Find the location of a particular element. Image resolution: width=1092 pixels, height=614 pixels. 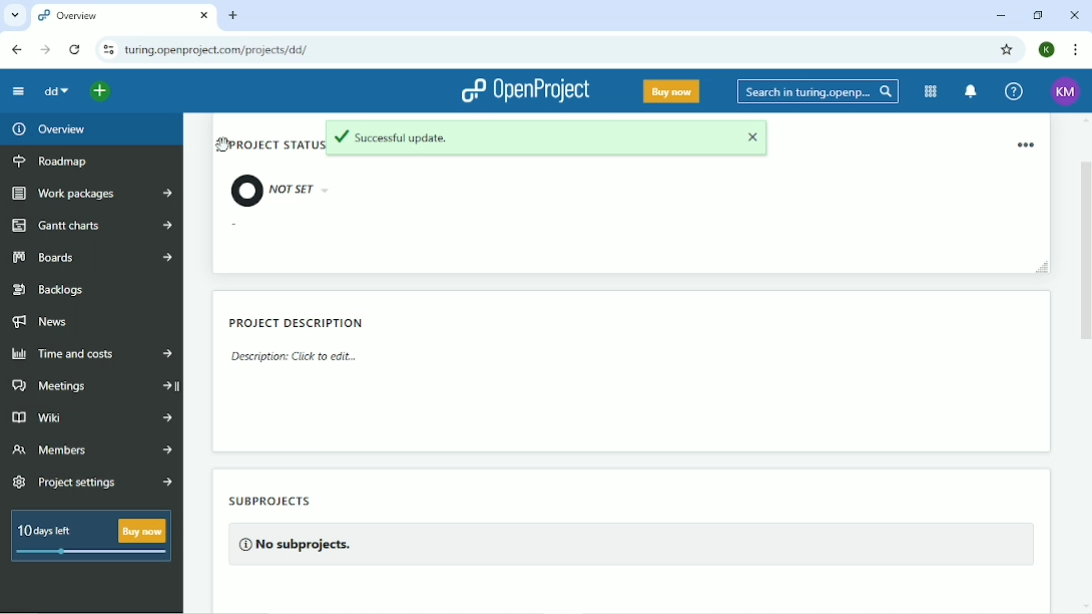

Account is located at coordinates (1048, 50).